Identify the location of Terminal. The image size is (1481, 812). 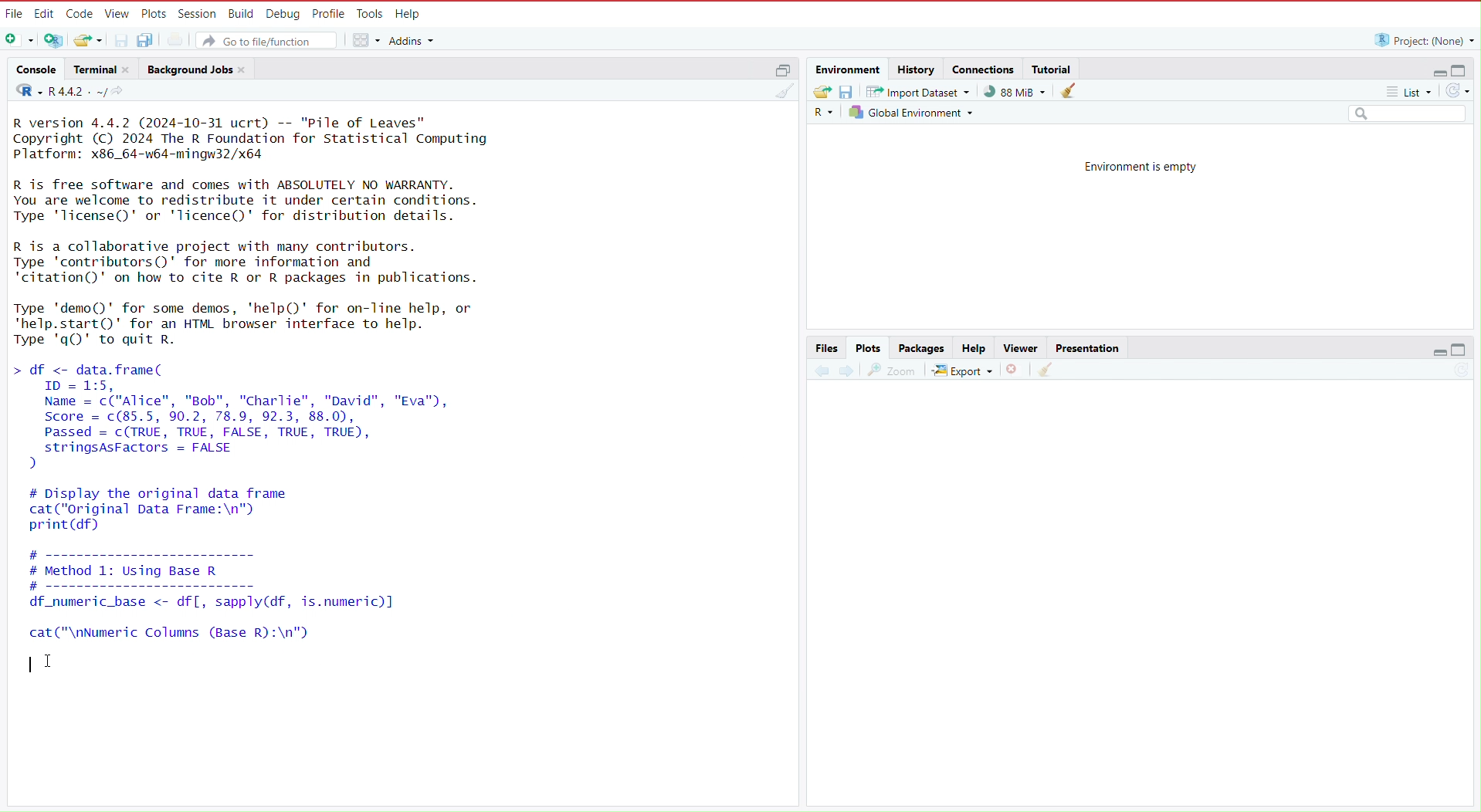
(92, 67).